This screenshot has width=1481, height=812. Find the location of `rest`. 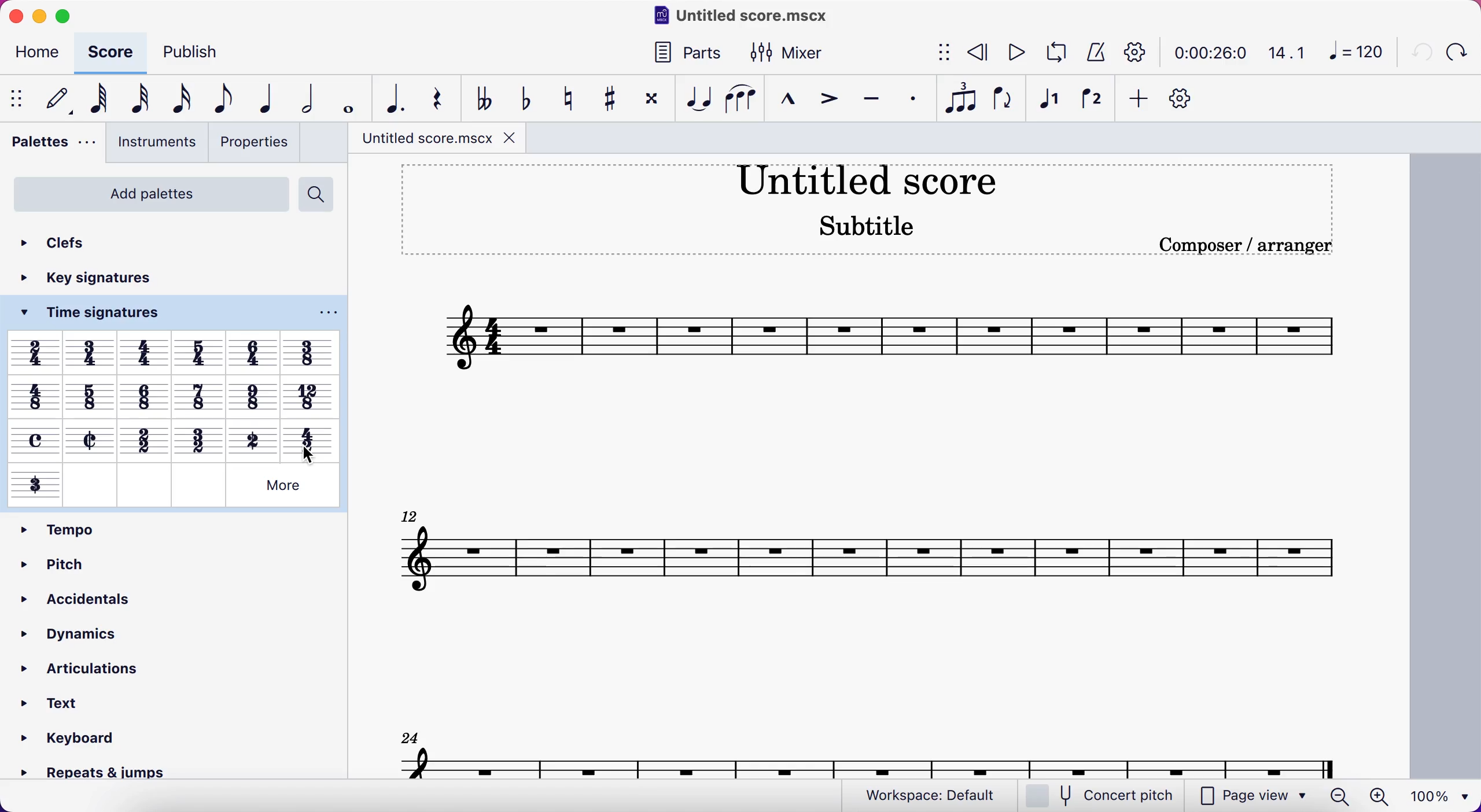

rest is located at coordinates (437, 98).